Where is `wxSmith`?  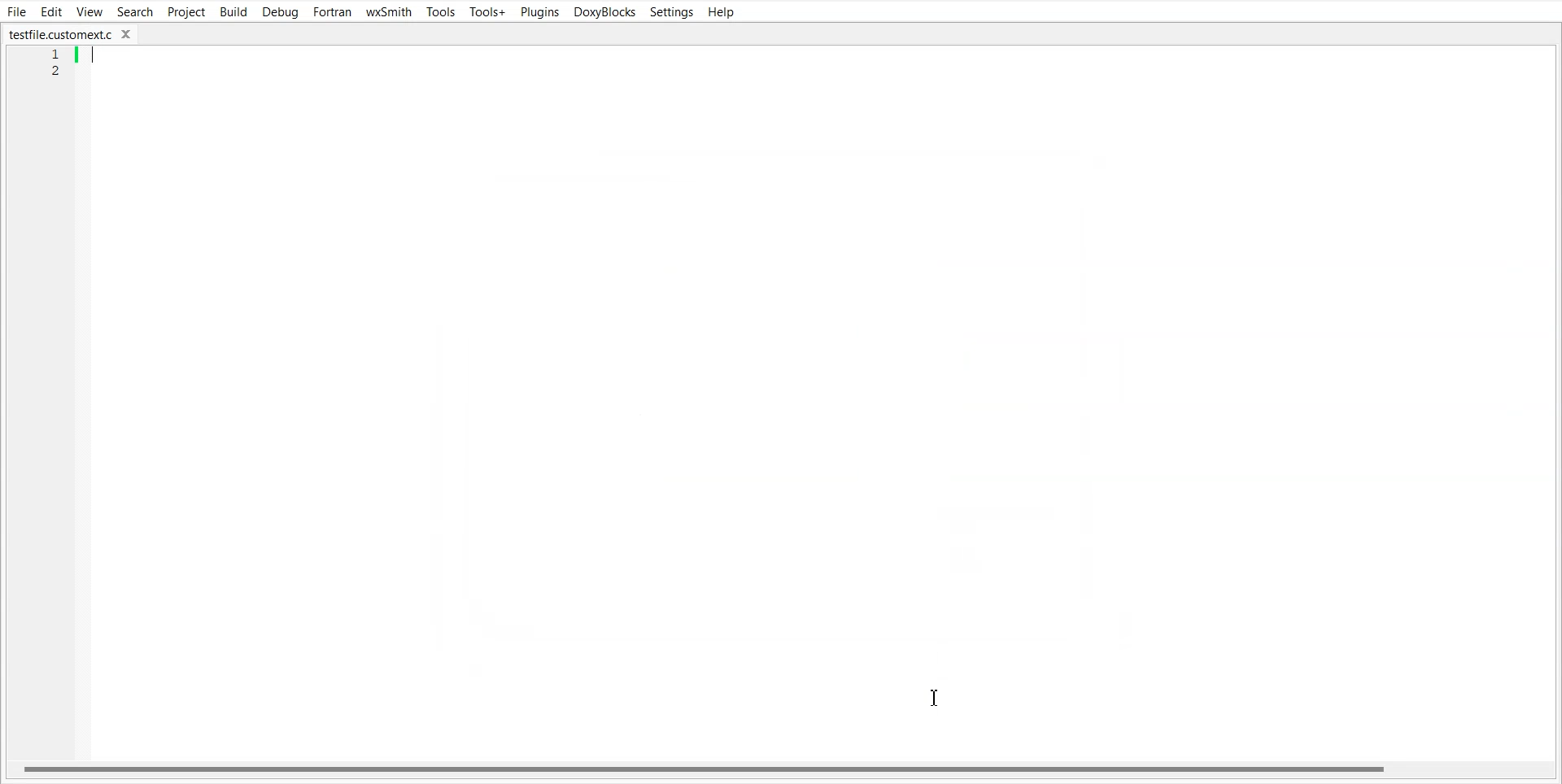
wxSmith is located at coordinates (390, 11).